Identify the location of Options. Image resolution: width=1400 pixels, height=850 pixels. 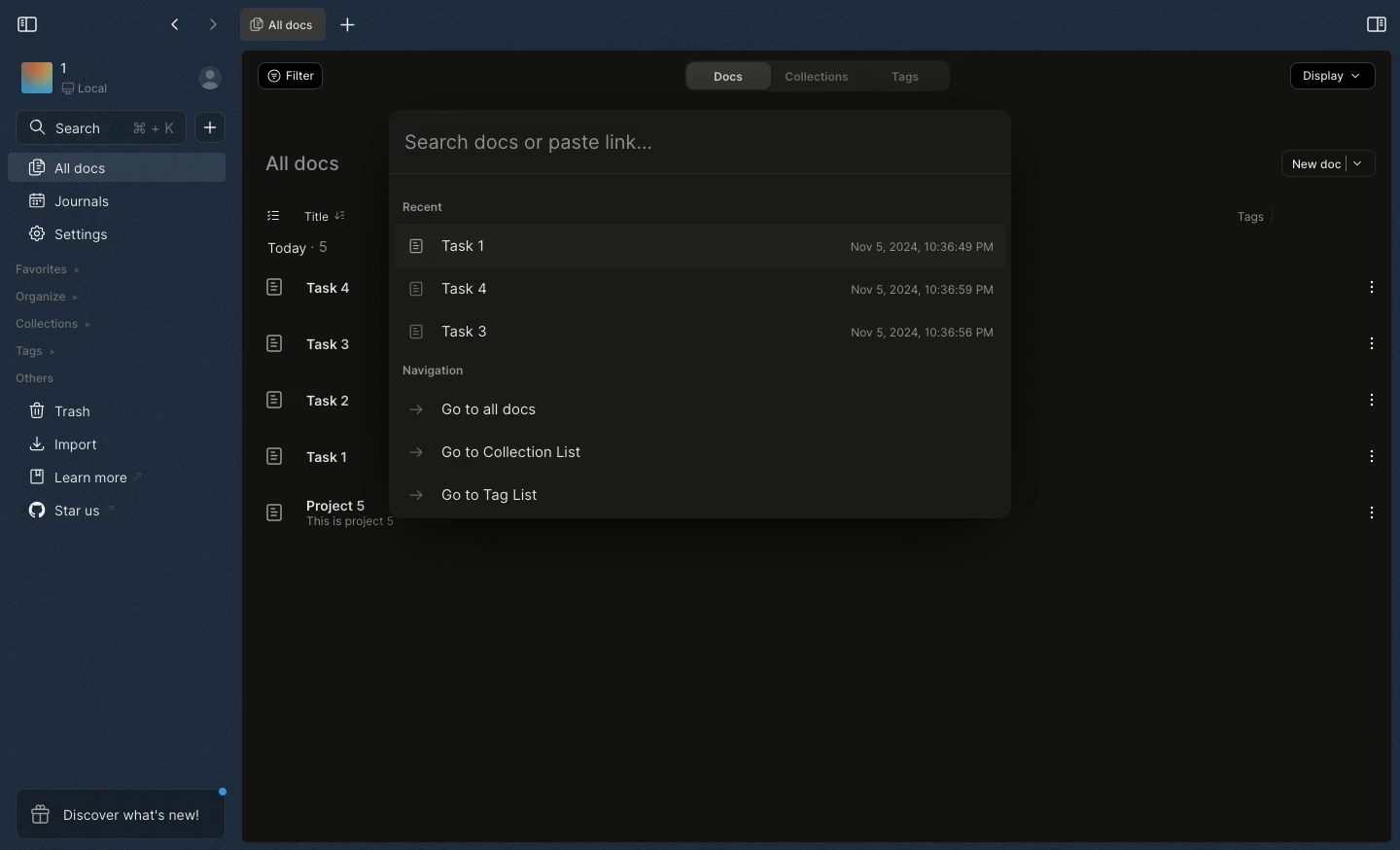
(1372, 287).